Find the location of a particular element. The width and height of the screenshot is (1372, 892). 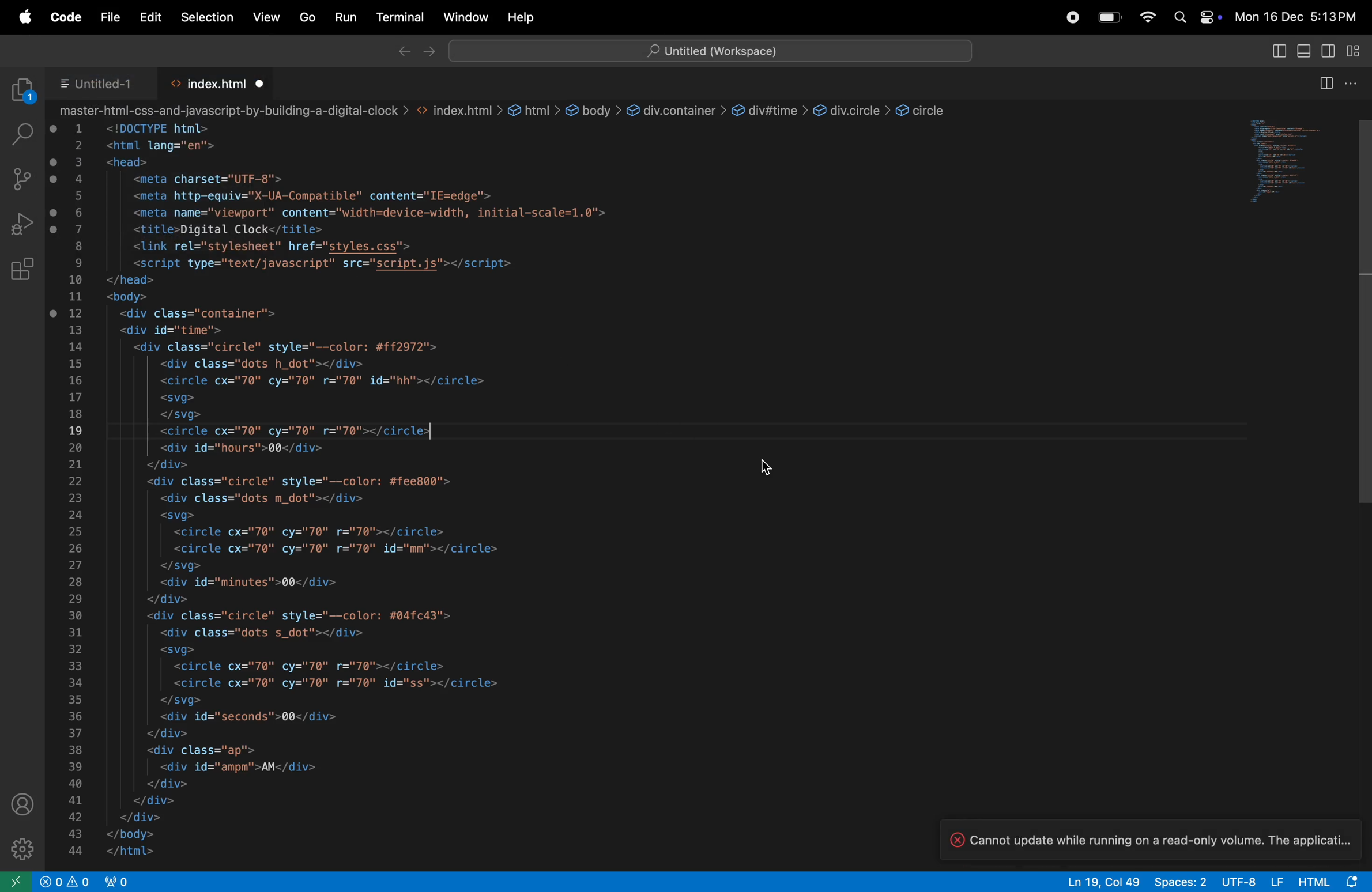

<div class="dots m dot"></div> is located at coordinates (276, 498).